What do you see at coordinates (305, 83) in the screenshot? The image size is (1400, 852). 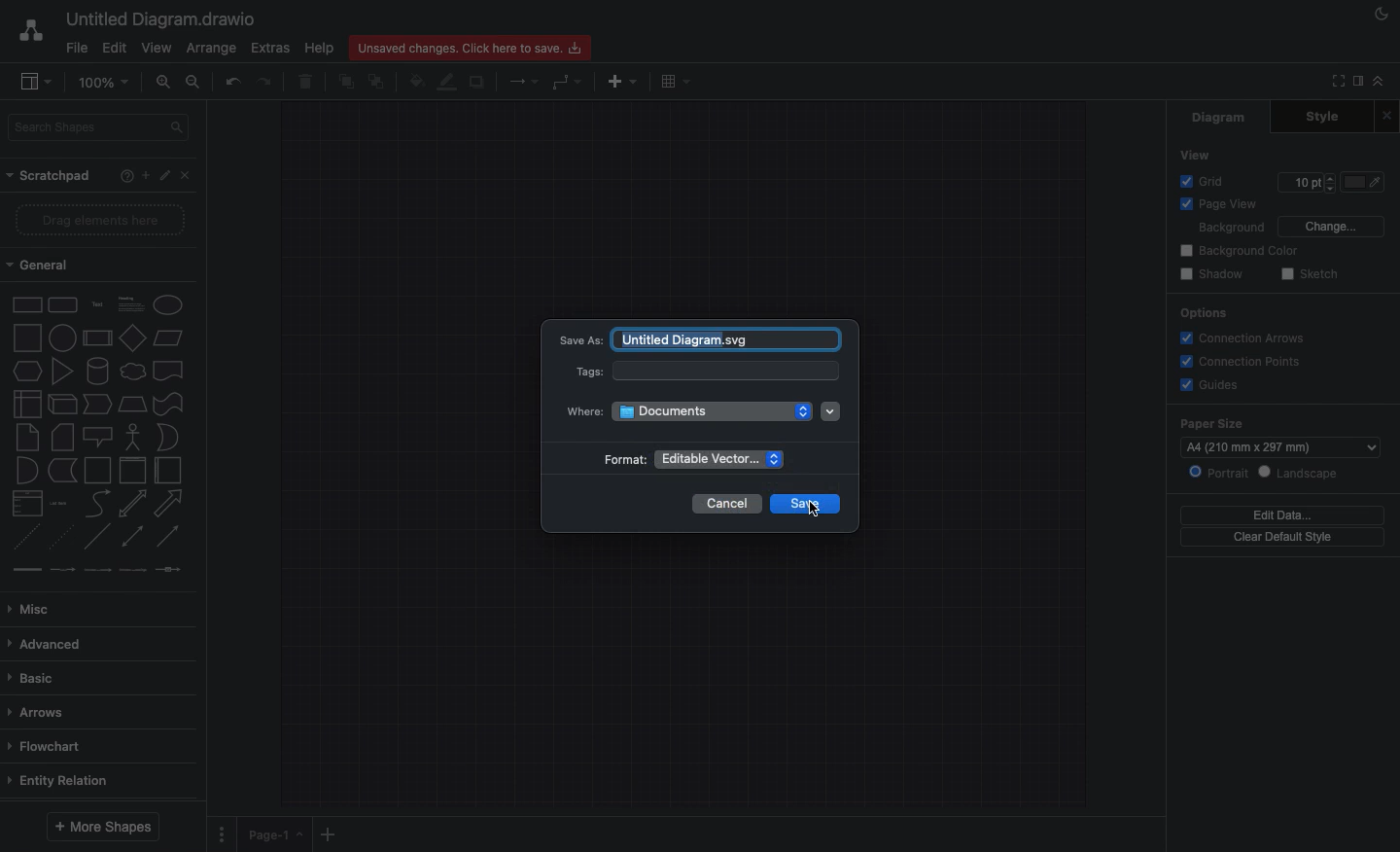 I see `Trash` at bounding box center [305, 83].